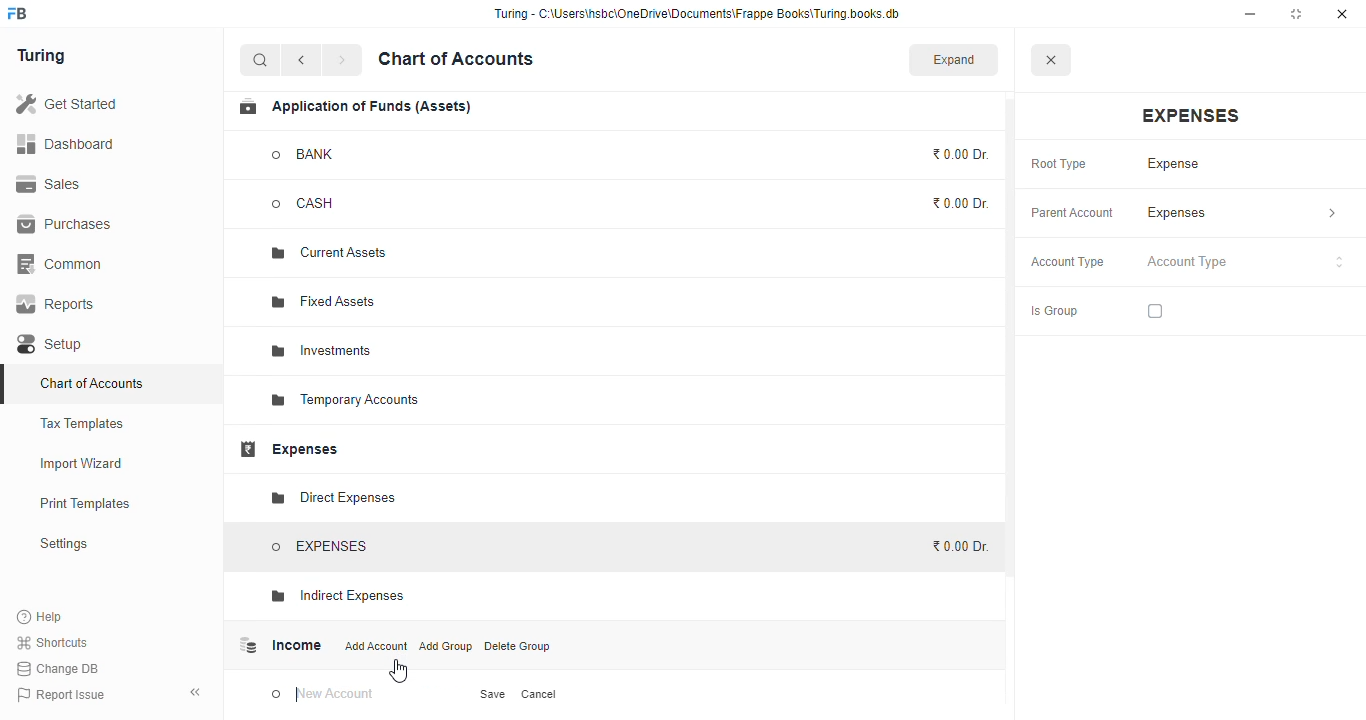 The height and width of the screenshot is (720, 1366). Describe the element at coordinates (53, 642) in the screenshot. I see `shortcuts` at that location.